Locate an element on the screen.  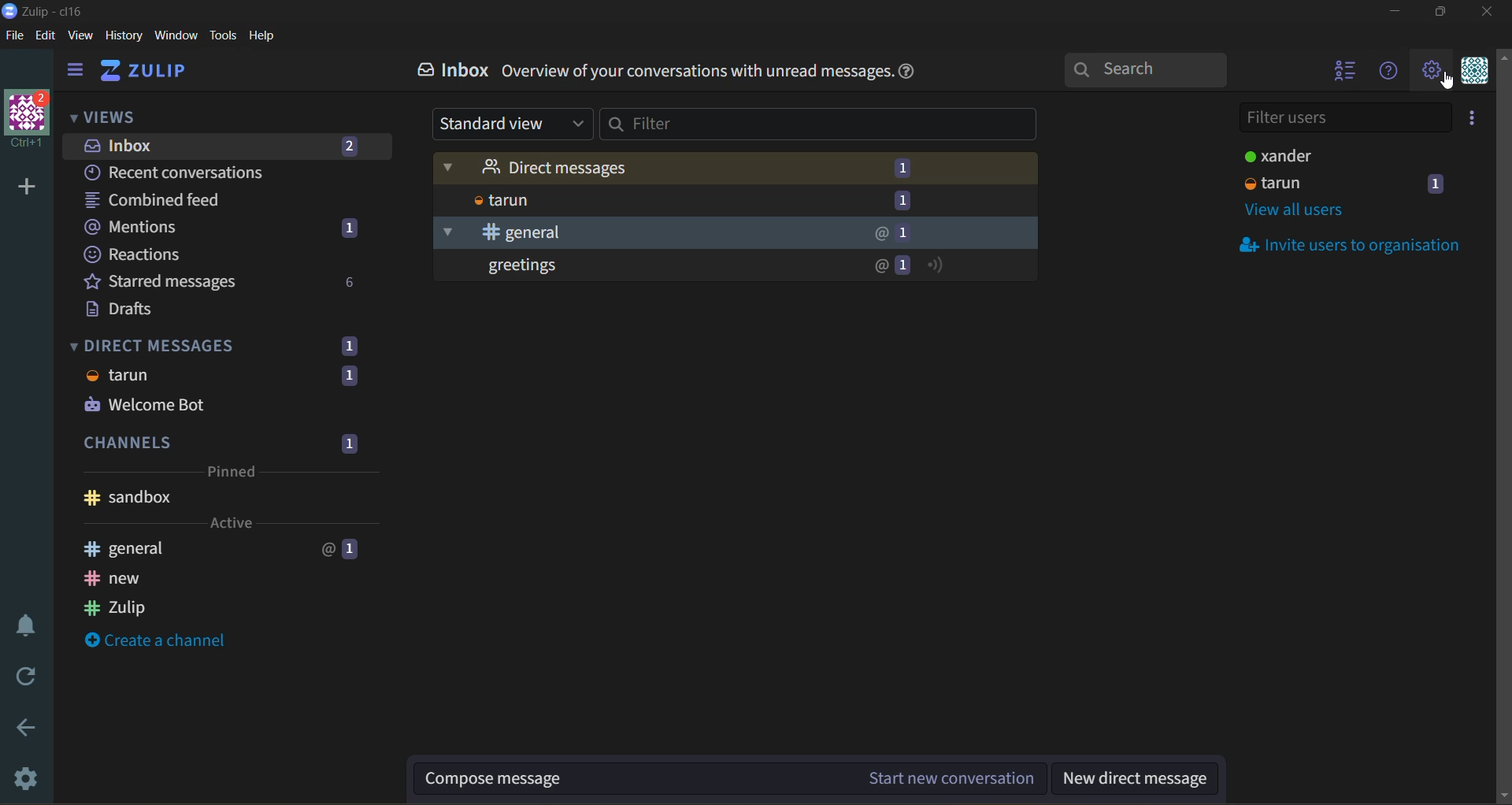
add organisation is located at coordinates (24, 187).